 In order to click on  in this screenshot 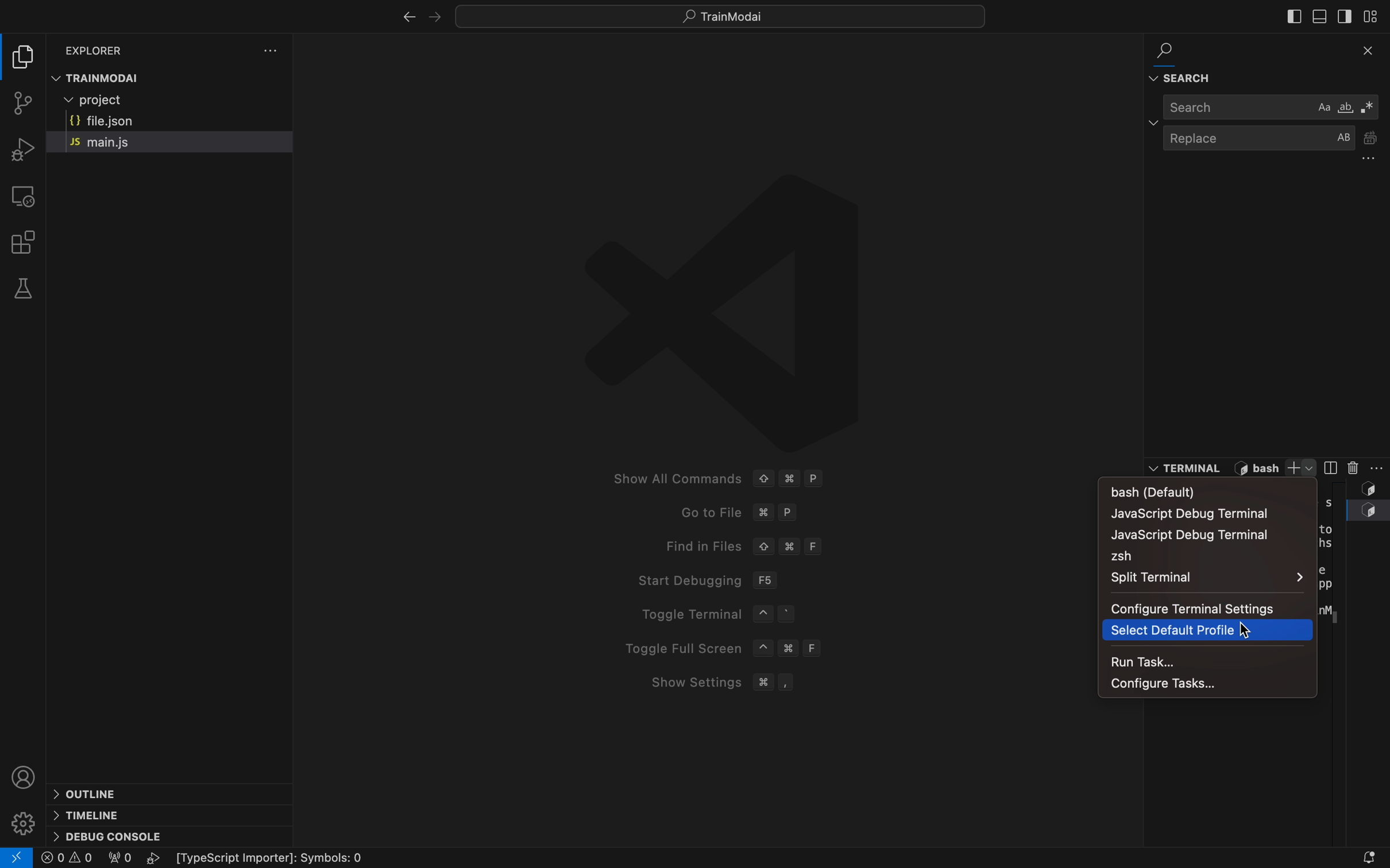, I will do `click(1210, 578)`.